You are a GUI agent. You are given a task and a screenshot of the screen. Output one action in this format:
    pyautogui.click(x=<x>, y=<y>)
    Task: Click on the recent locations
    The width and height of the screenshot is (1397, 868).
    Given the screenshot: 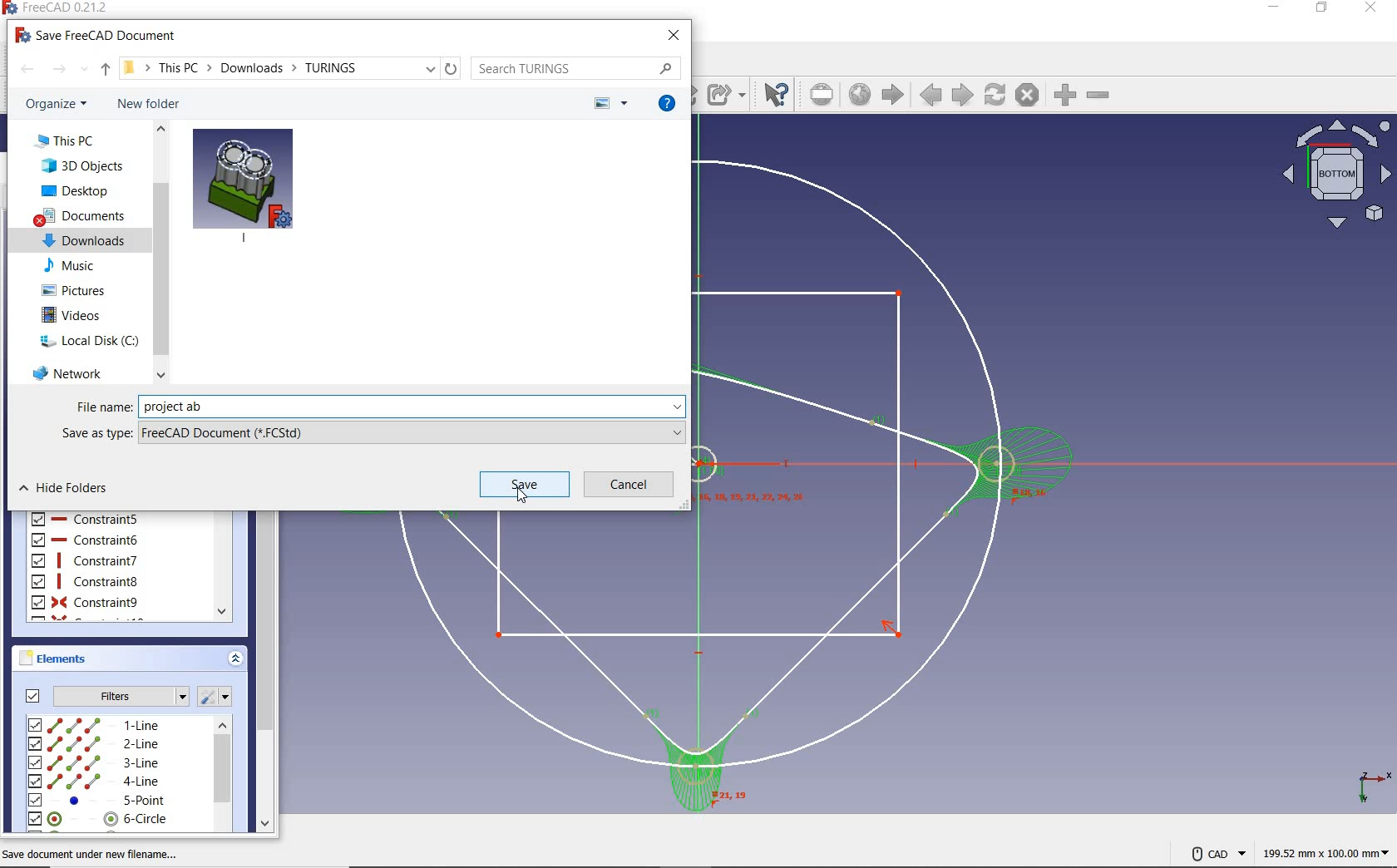 What is the action you would take?
    pyautogui.click(x=84, y=69)
    